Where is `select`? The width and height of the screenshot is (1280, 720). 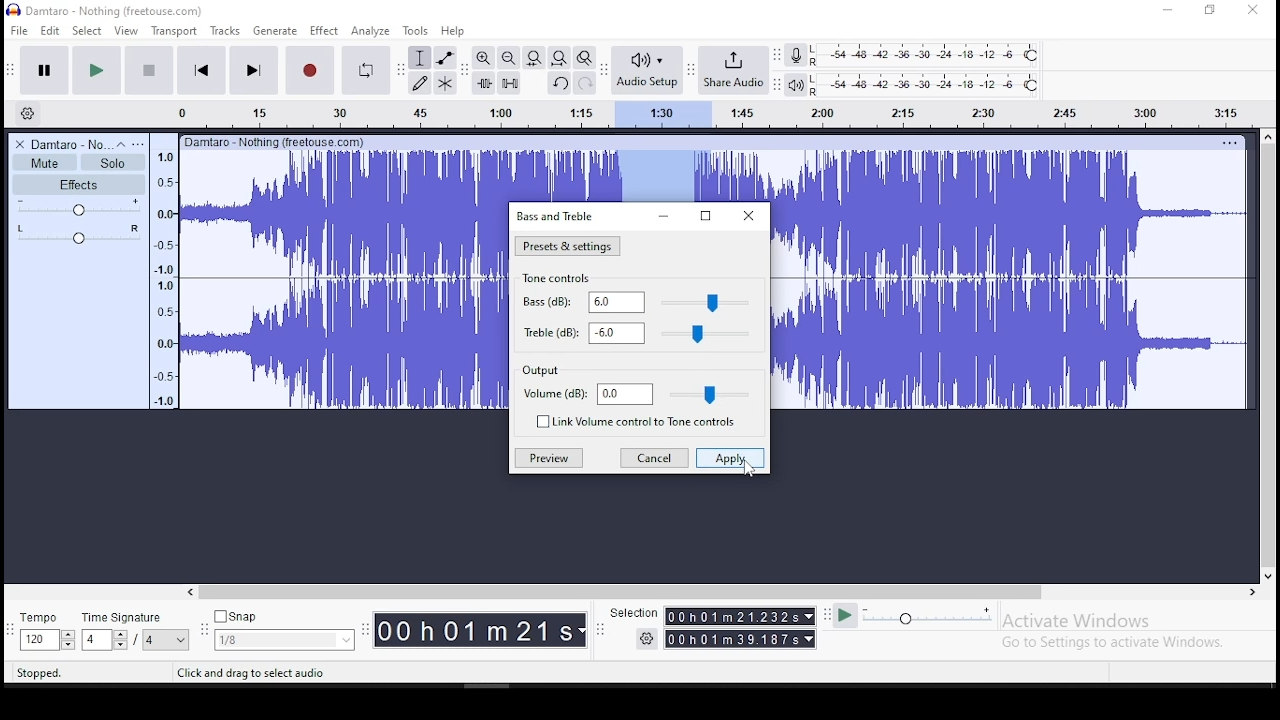 select is located at coordinates (89, 30).